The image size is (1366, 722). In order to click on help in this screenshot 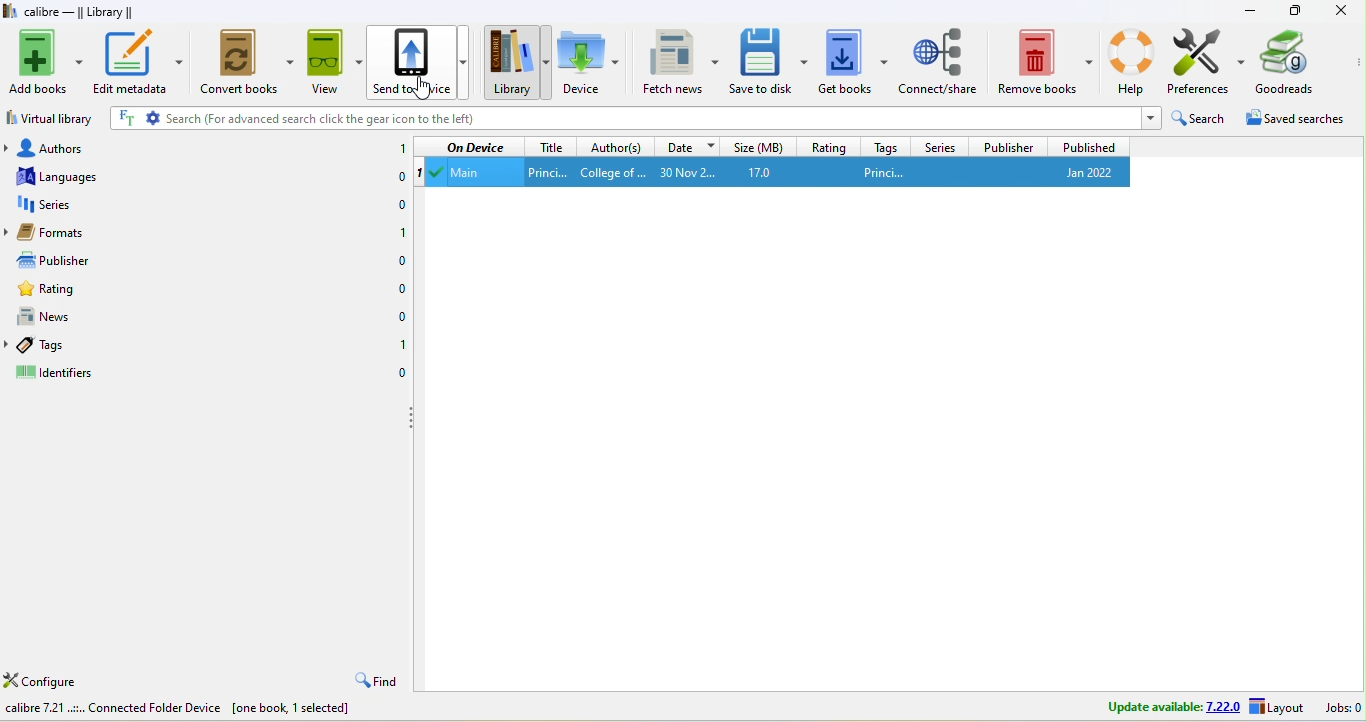, I will do `click(1130, 61)`.